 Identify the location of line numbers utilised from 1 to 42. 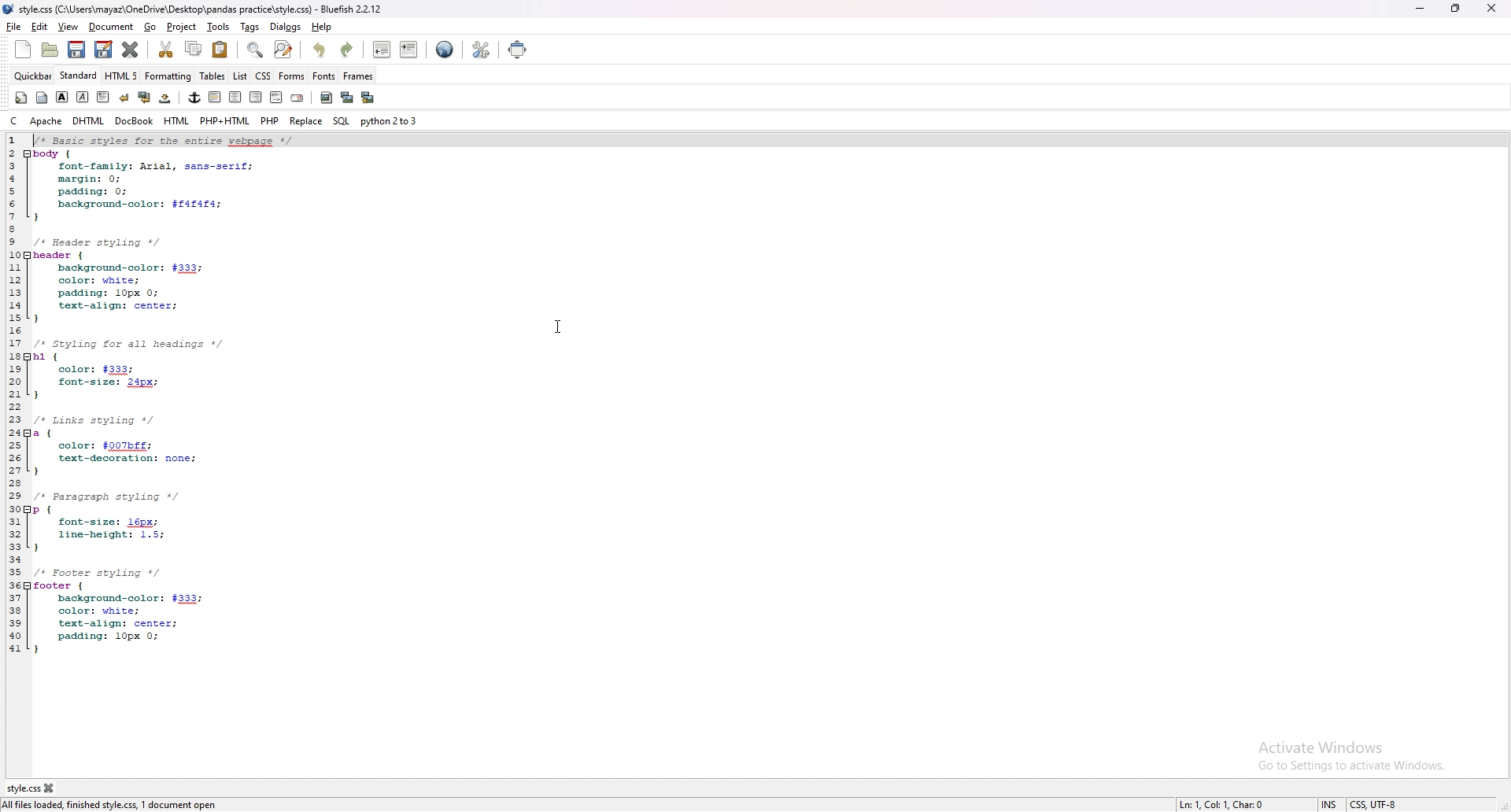
(14, 394).